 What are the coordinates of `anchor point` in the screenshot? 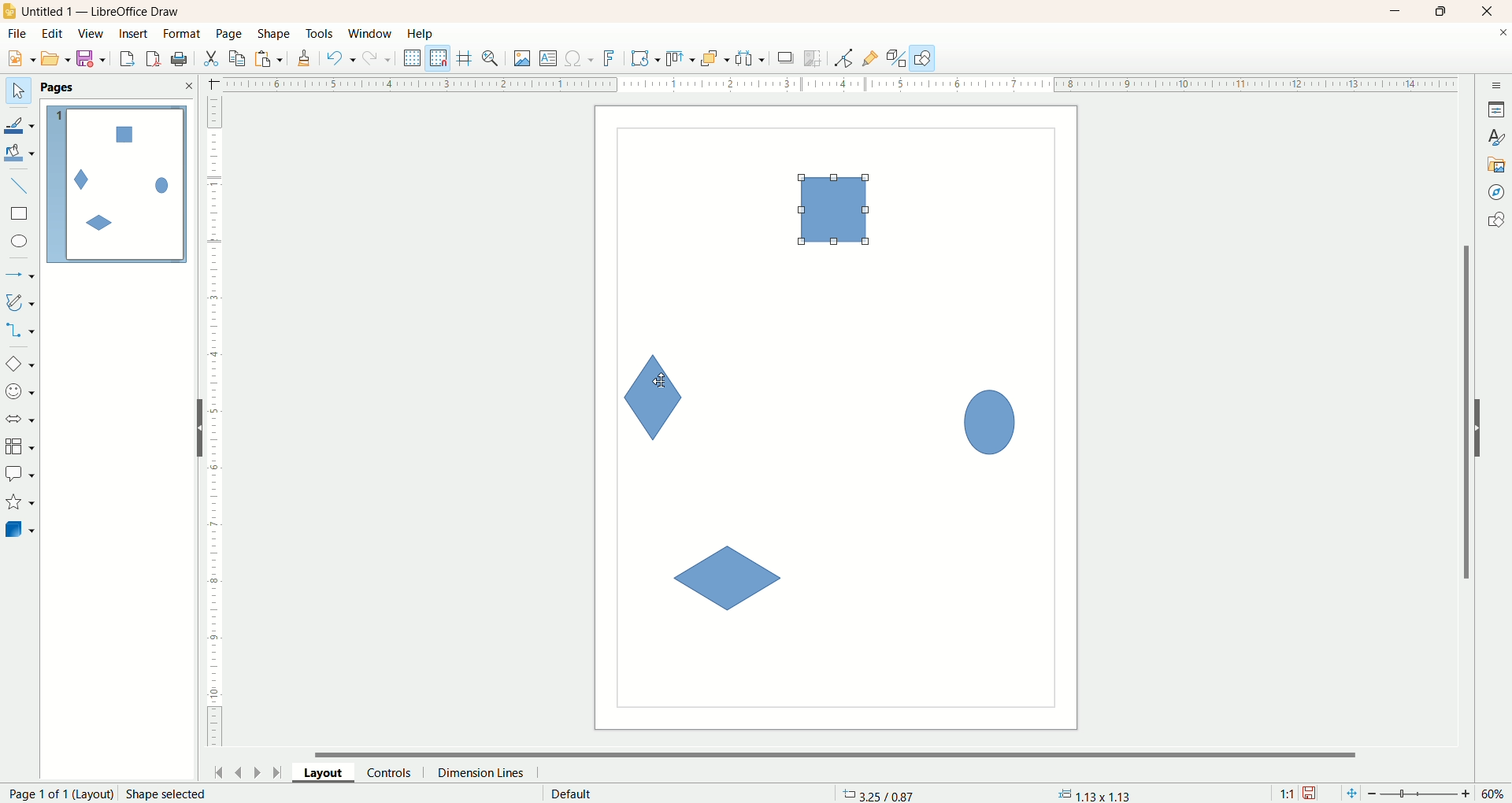 It's located at (1092, 794).